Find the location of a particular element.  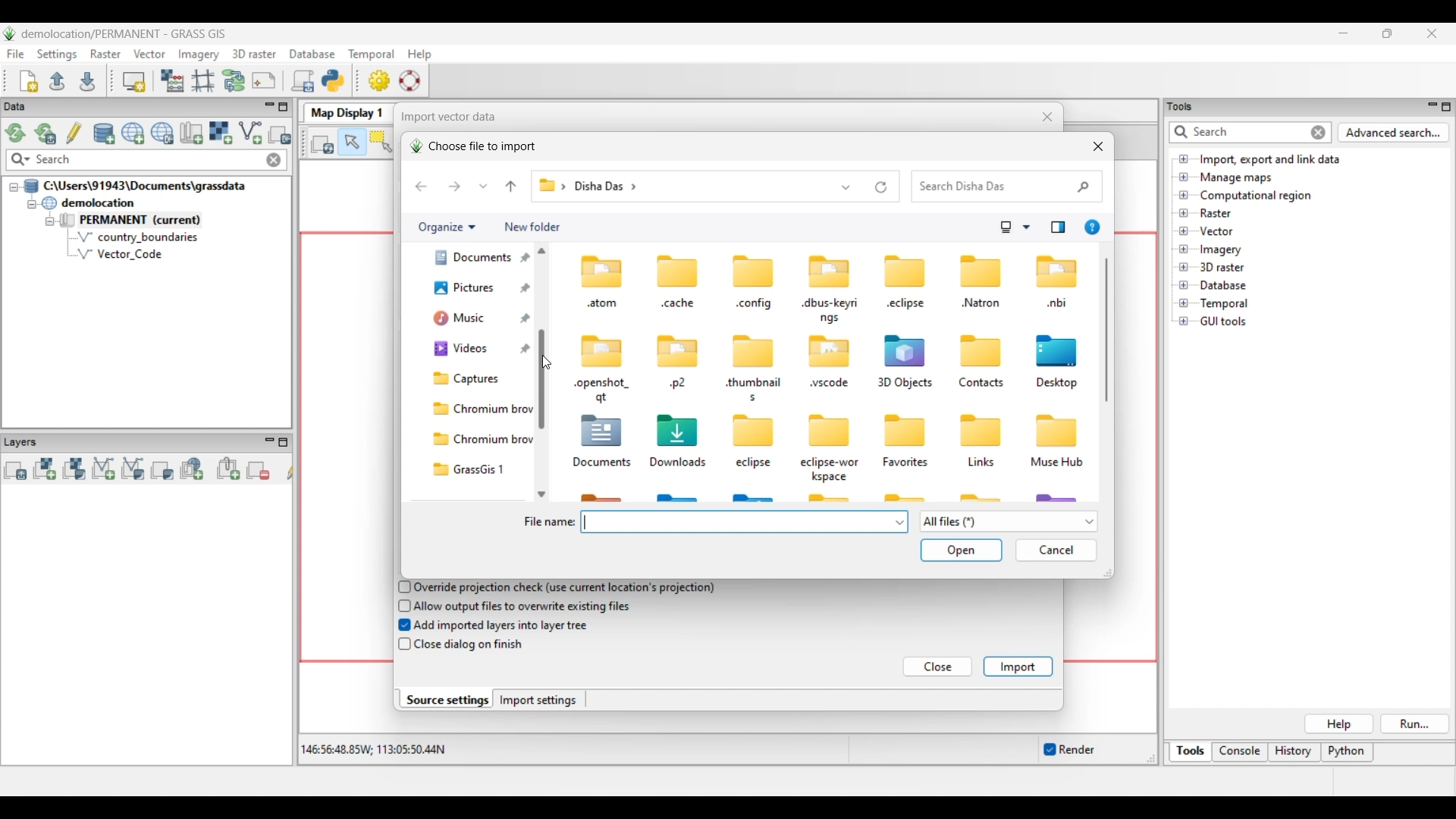

checkbox is located at coordinates (400, 626).